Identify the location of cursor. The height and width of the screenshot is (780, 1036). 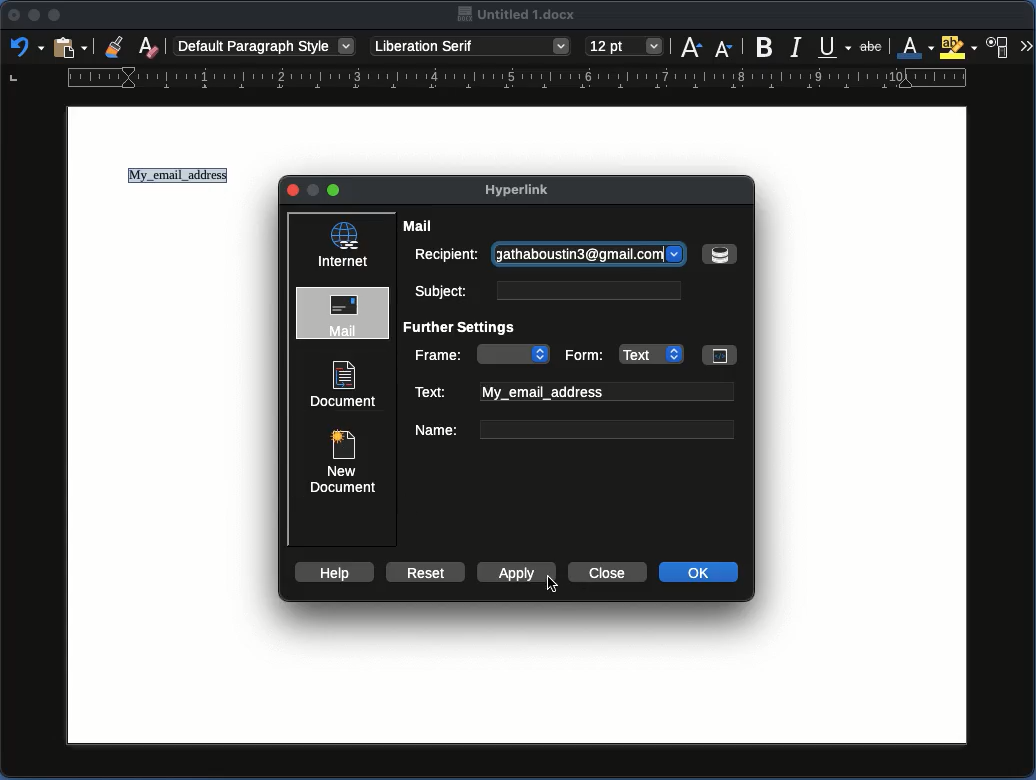
(549, 587).